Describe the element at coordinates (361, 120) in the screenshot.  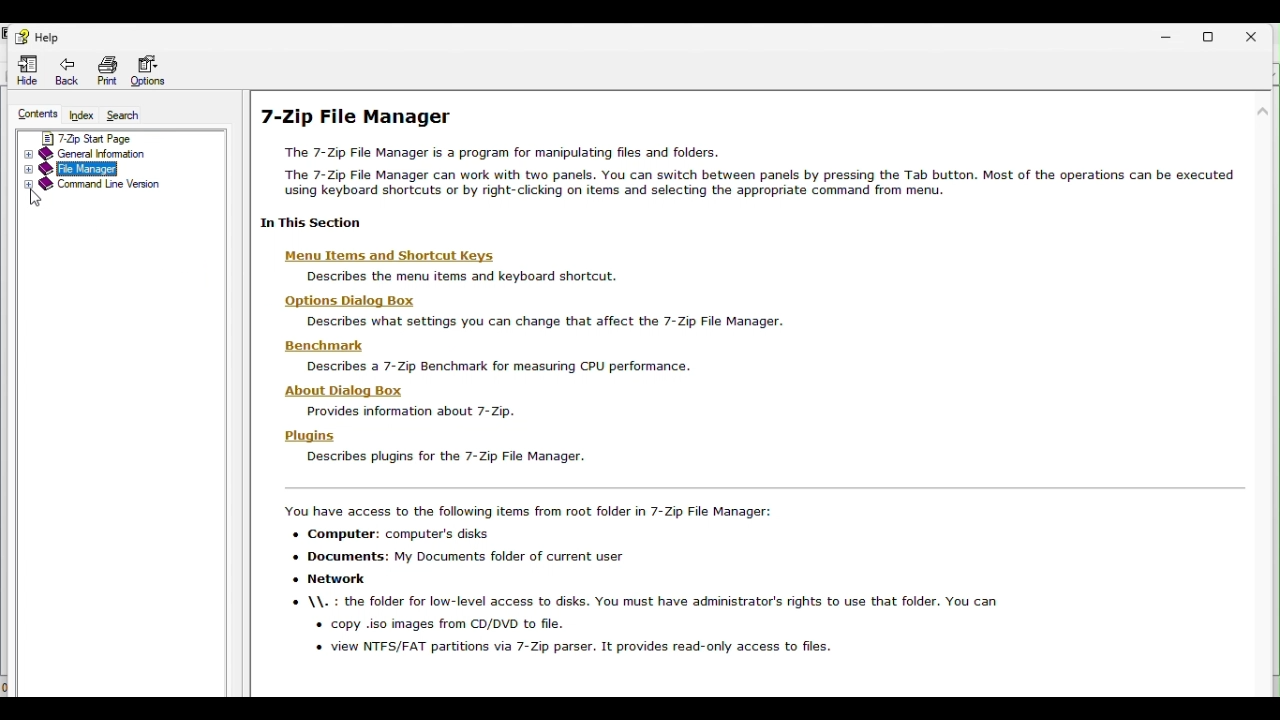
I see `File Manager` at that location.